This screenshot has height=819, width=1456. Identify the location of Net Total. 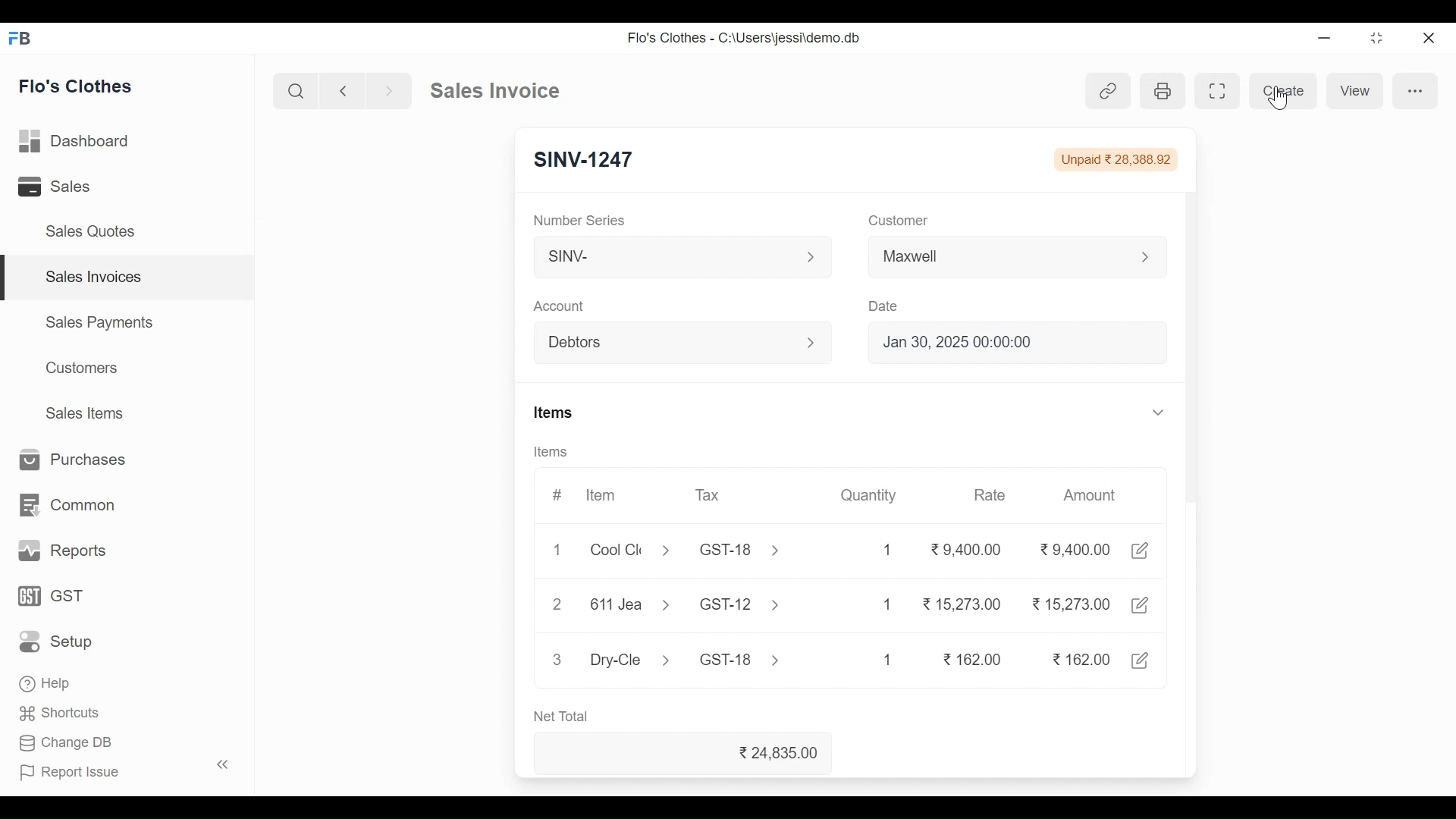
(566, 717).